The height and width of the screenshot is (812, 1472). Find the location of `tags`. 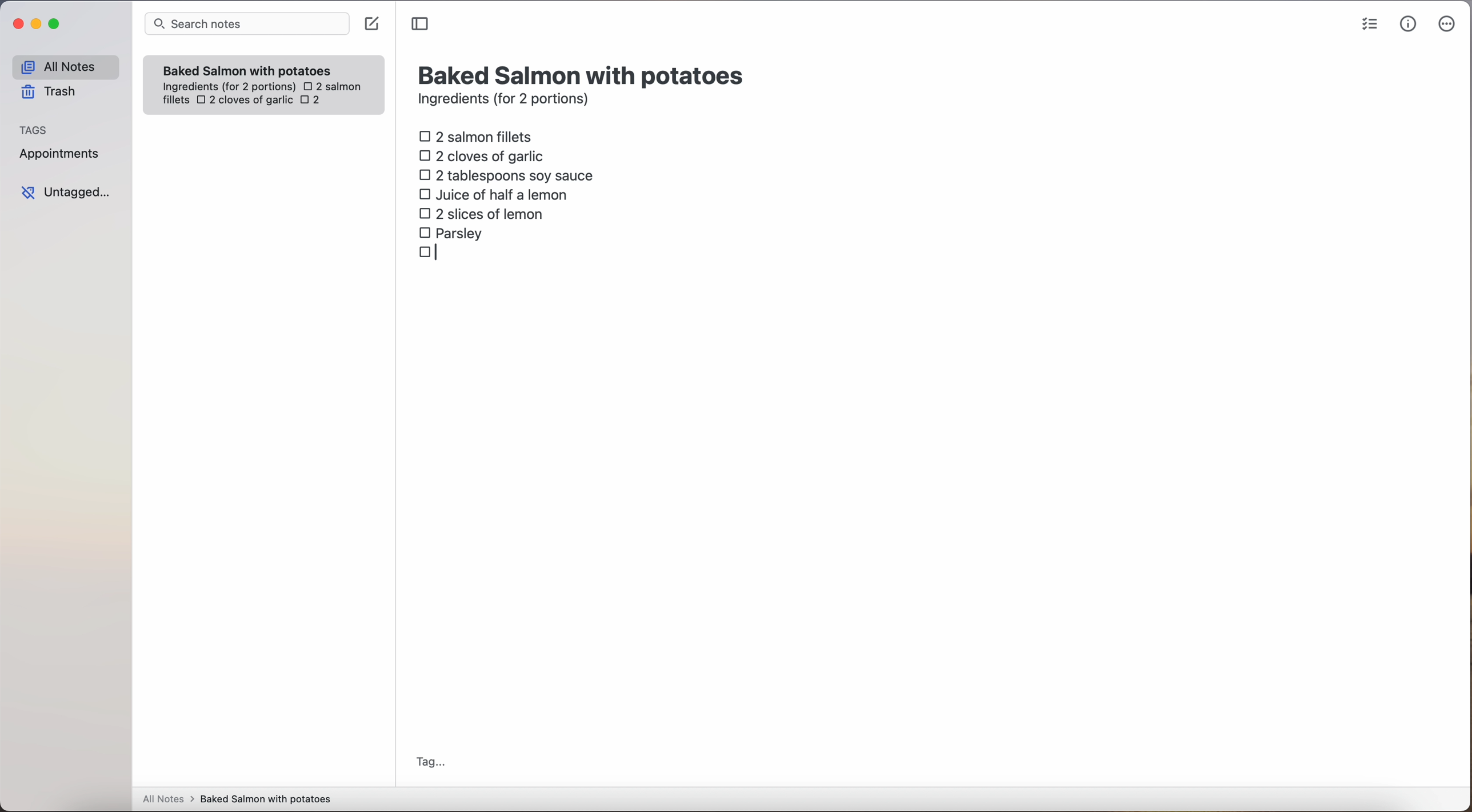

tags is located at coordinates (34, 129).